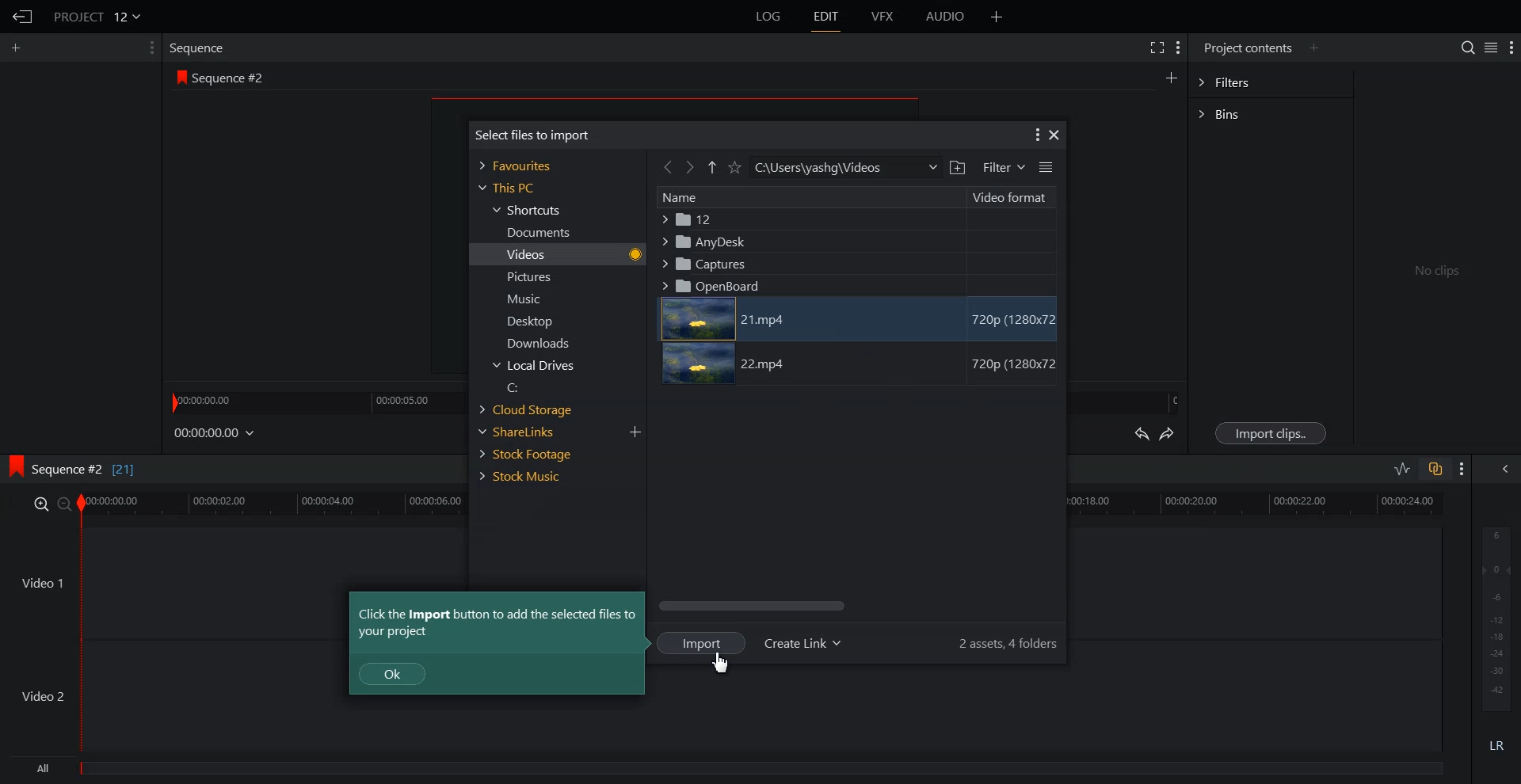  I want to click on Add Panel, so click(1316, 48).